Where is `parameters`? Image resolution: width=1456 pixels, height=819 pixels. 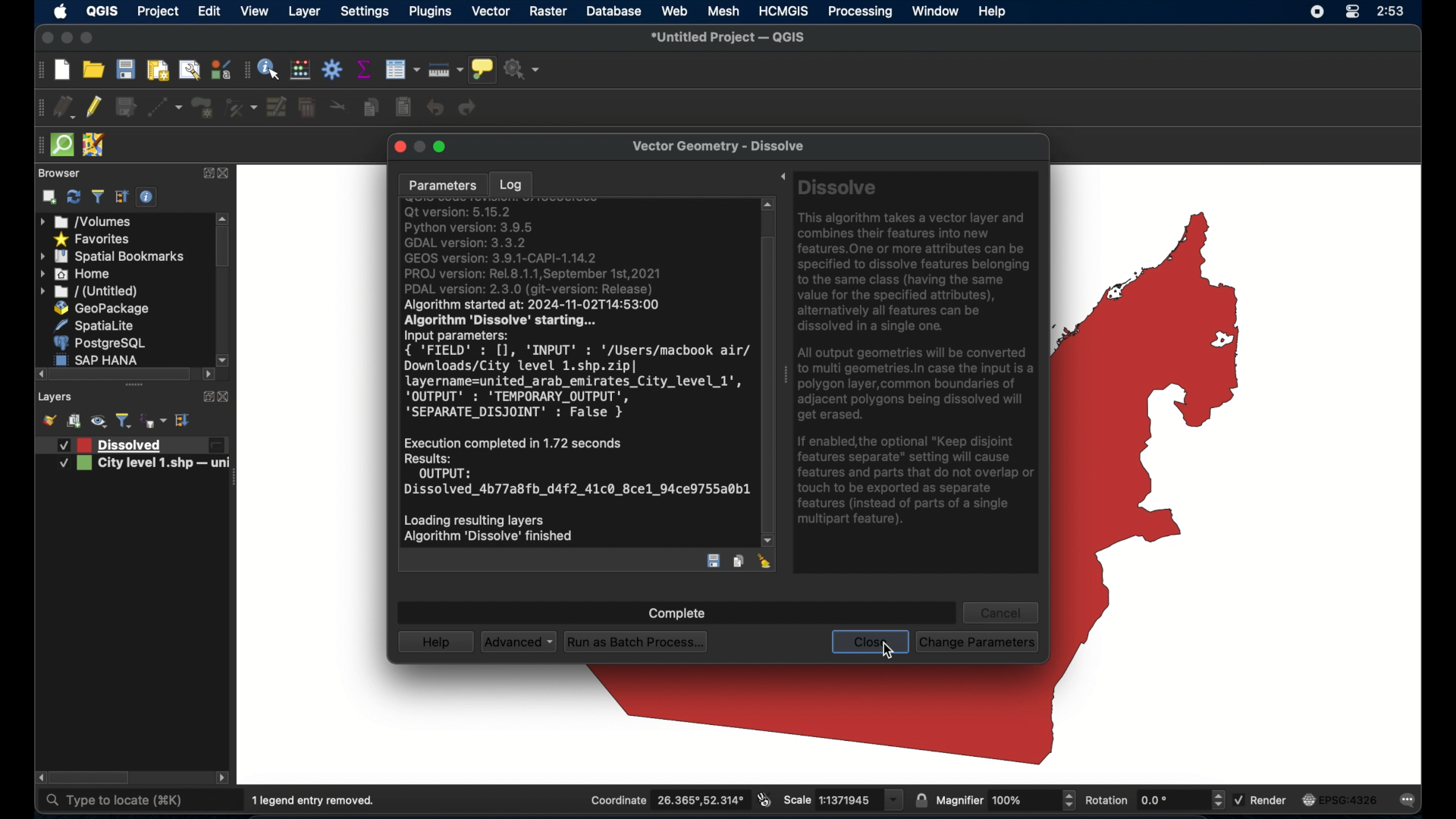 parameters is located at coordinates (441, 184).